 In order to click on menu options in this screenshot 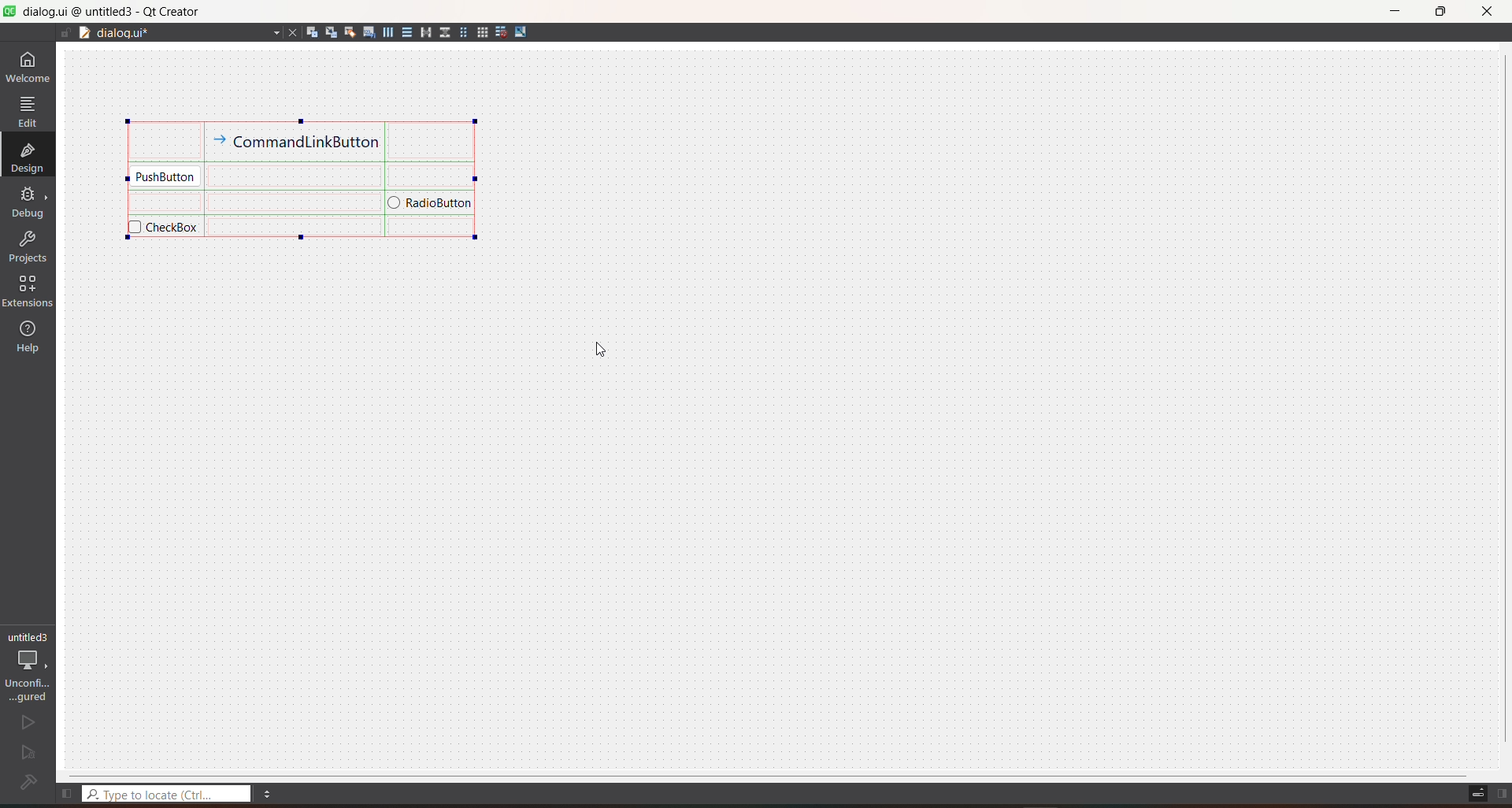, I will do `click(269, 795)`.